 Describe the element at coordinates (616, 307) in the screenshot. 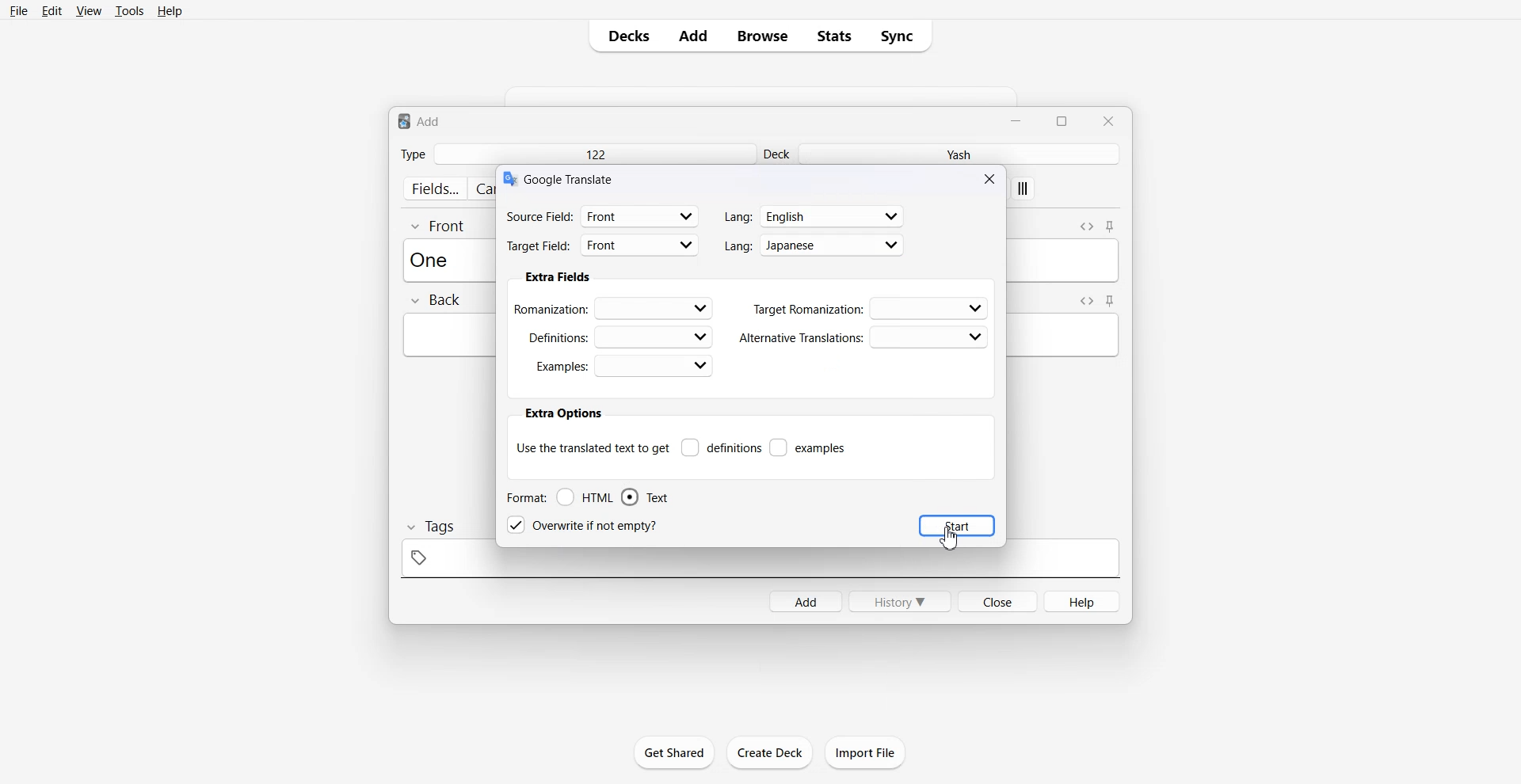

I see `Romanization:` at that location.